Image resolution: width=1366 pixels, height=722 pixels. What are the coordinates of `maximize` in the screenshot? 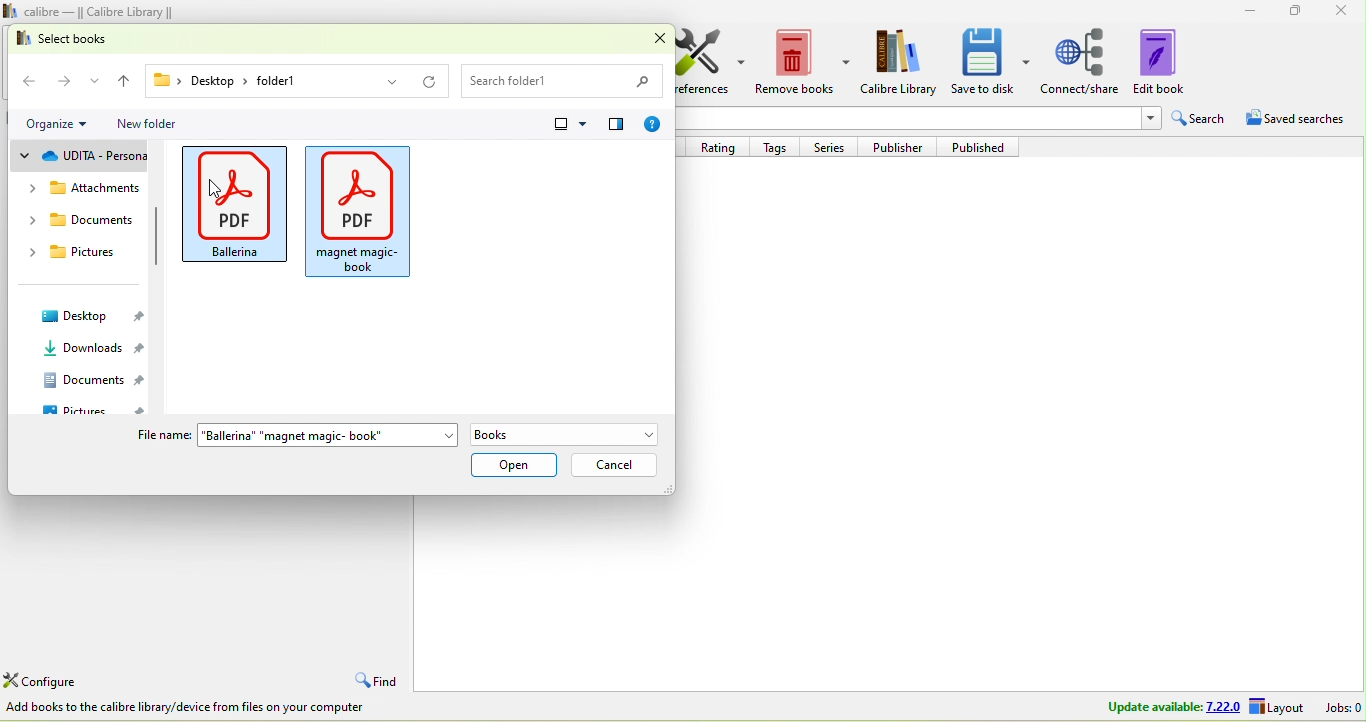 It's located at (1296, 12).